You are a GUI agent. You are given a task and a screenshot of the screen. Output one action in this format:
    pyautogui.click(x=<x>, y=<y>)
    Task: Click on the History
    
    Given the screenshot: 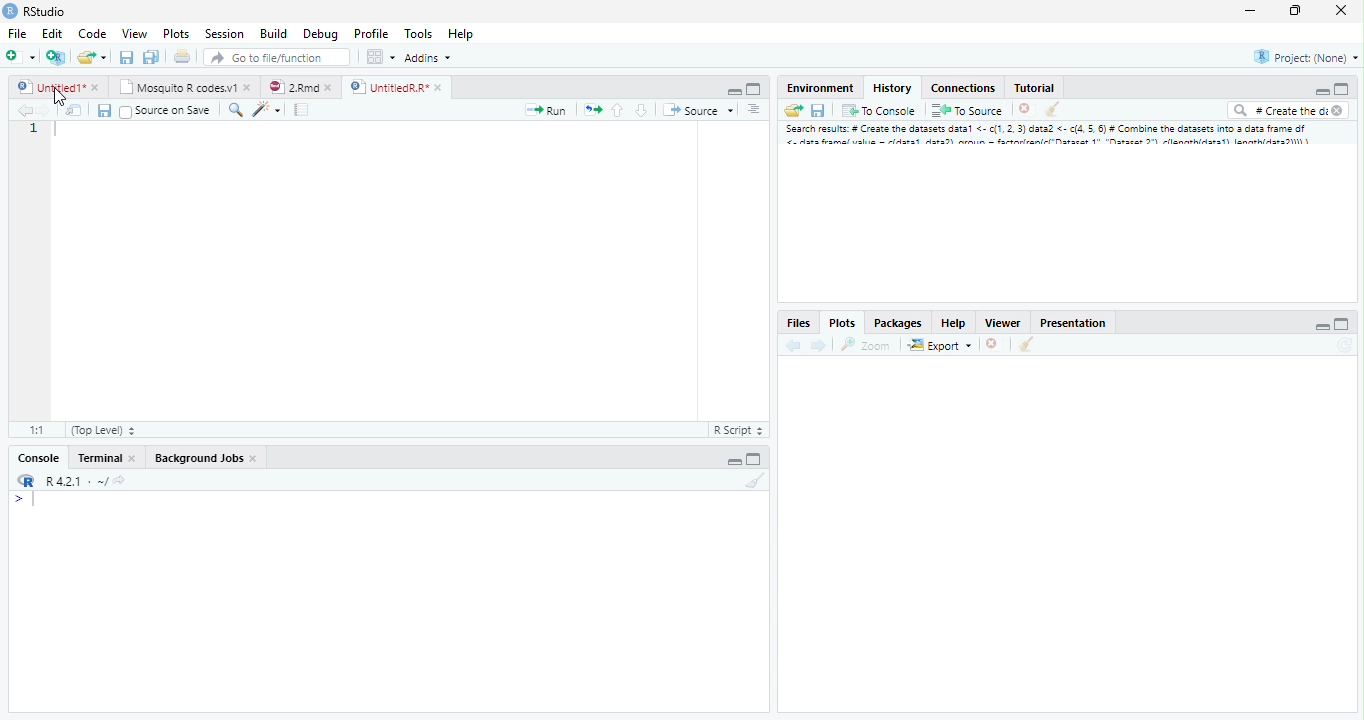 What is the action you would take?
    pyautogui.click(x=892, y=87)
    